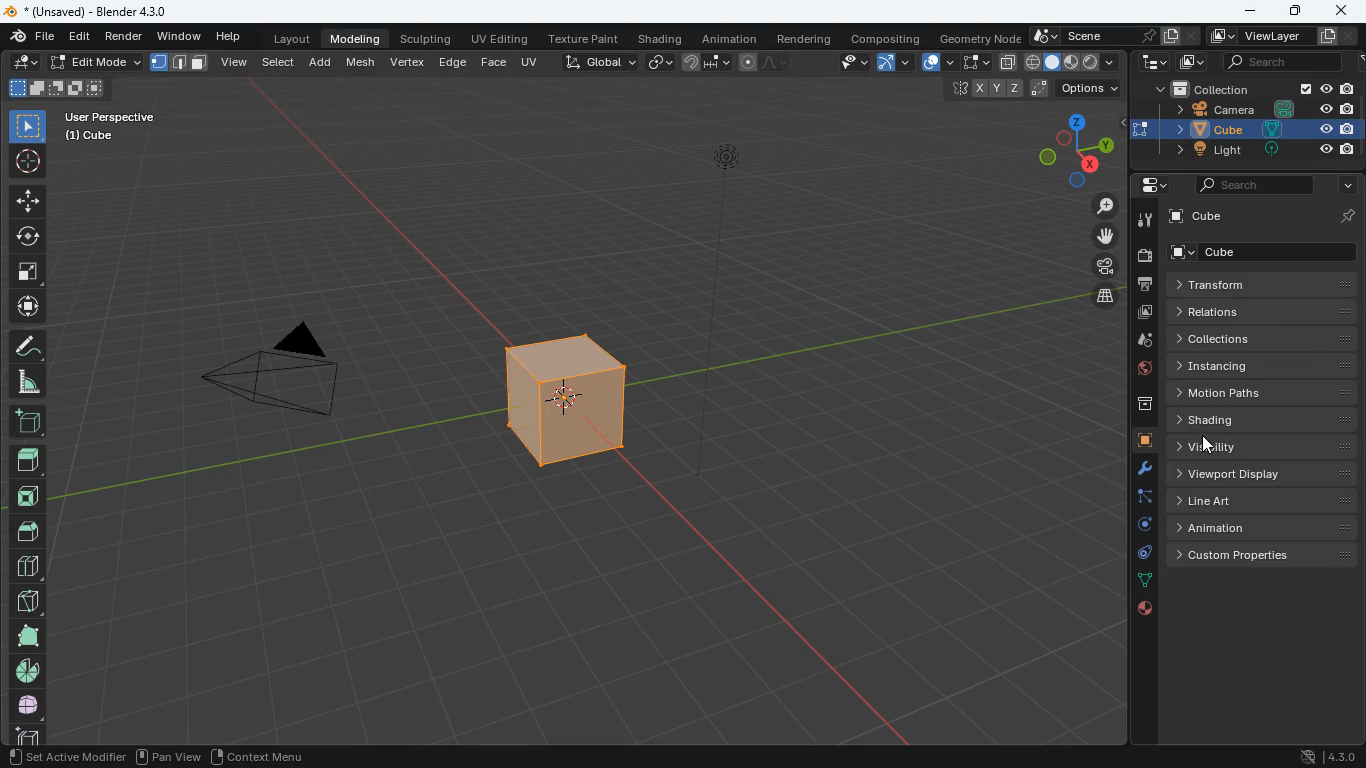 This screenshot has height=768, width=1366. I want to click on cube, so click(92, 137).